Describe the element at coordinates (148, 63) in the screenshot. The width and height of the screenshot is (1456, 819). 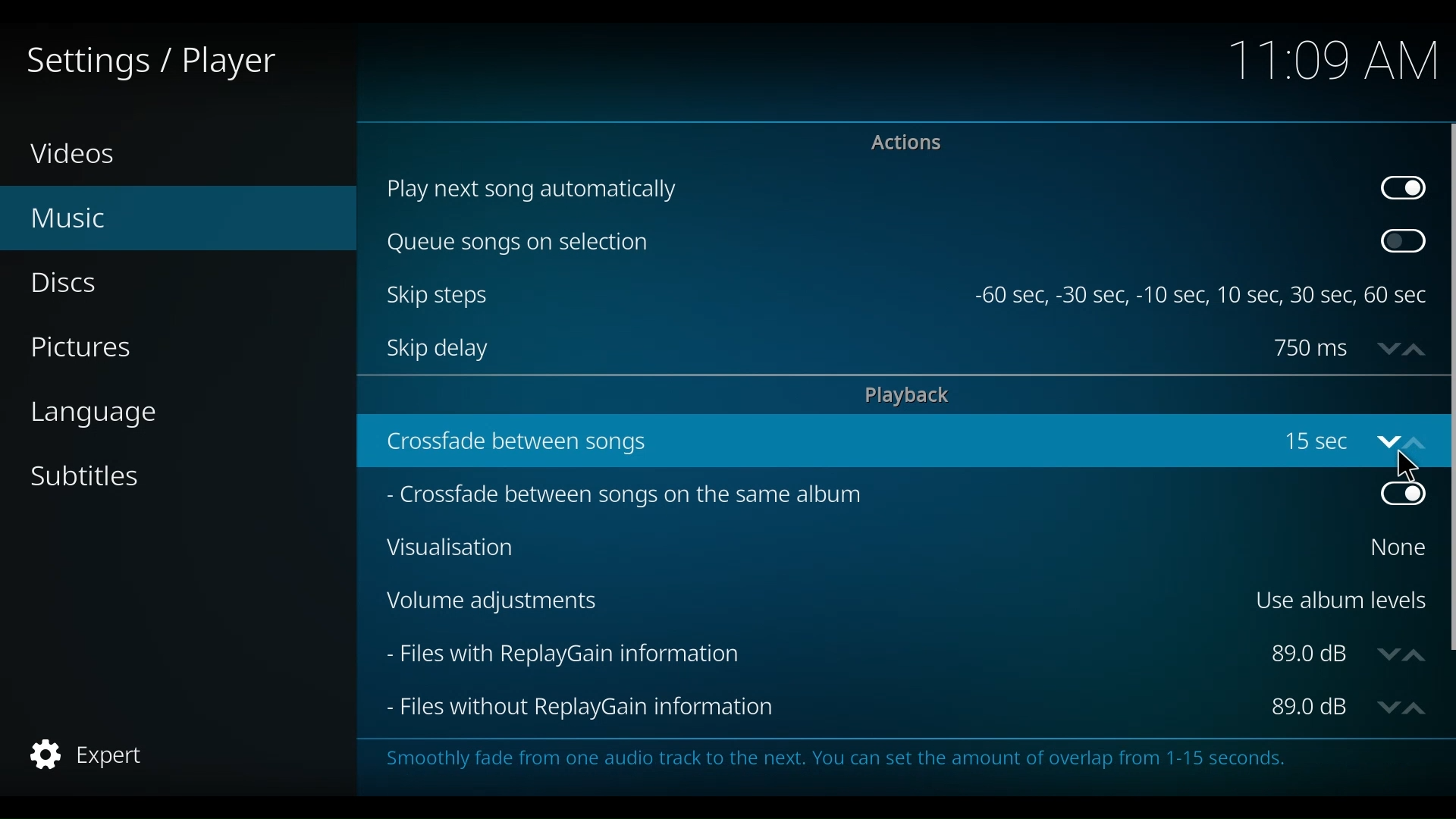
I see `Settings/Player` at that location.